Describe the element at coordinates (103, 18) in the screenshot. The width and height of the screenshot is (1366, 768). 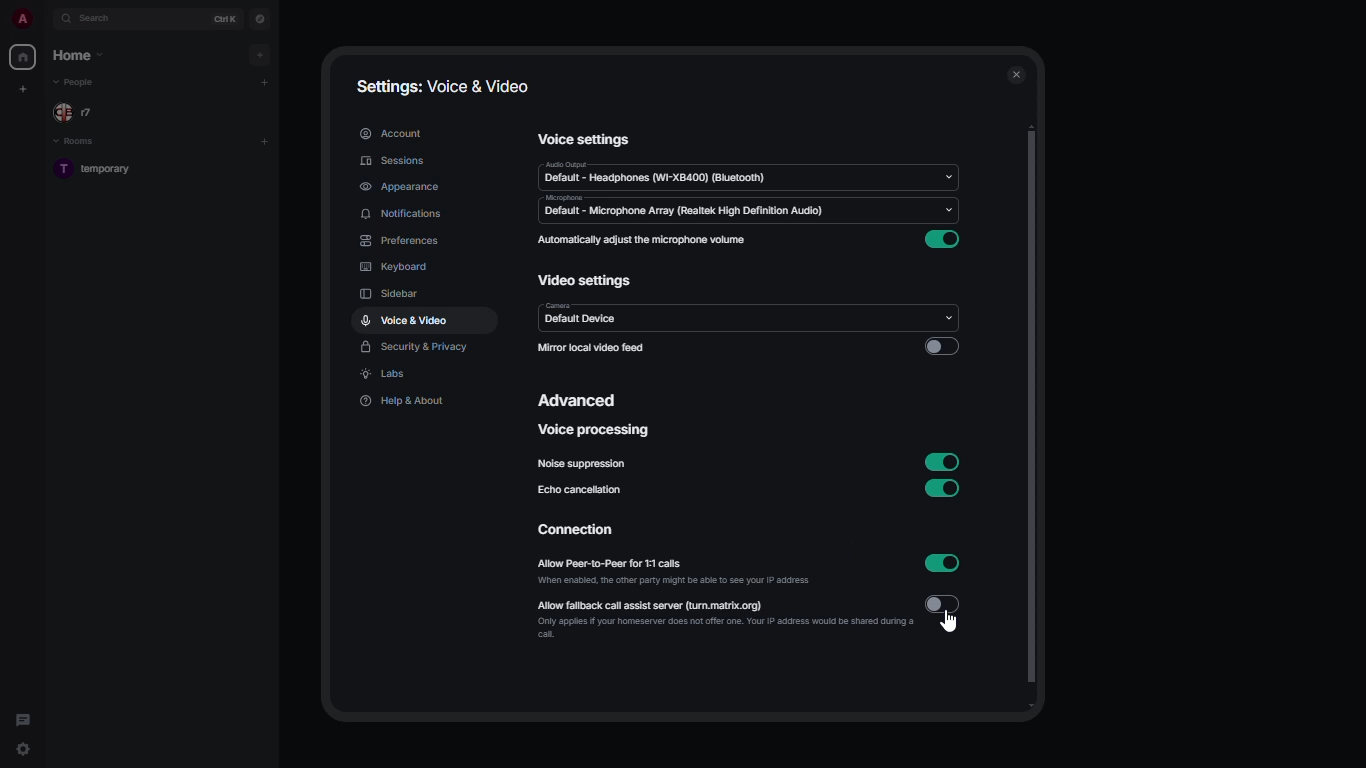
I see `search` at that location.